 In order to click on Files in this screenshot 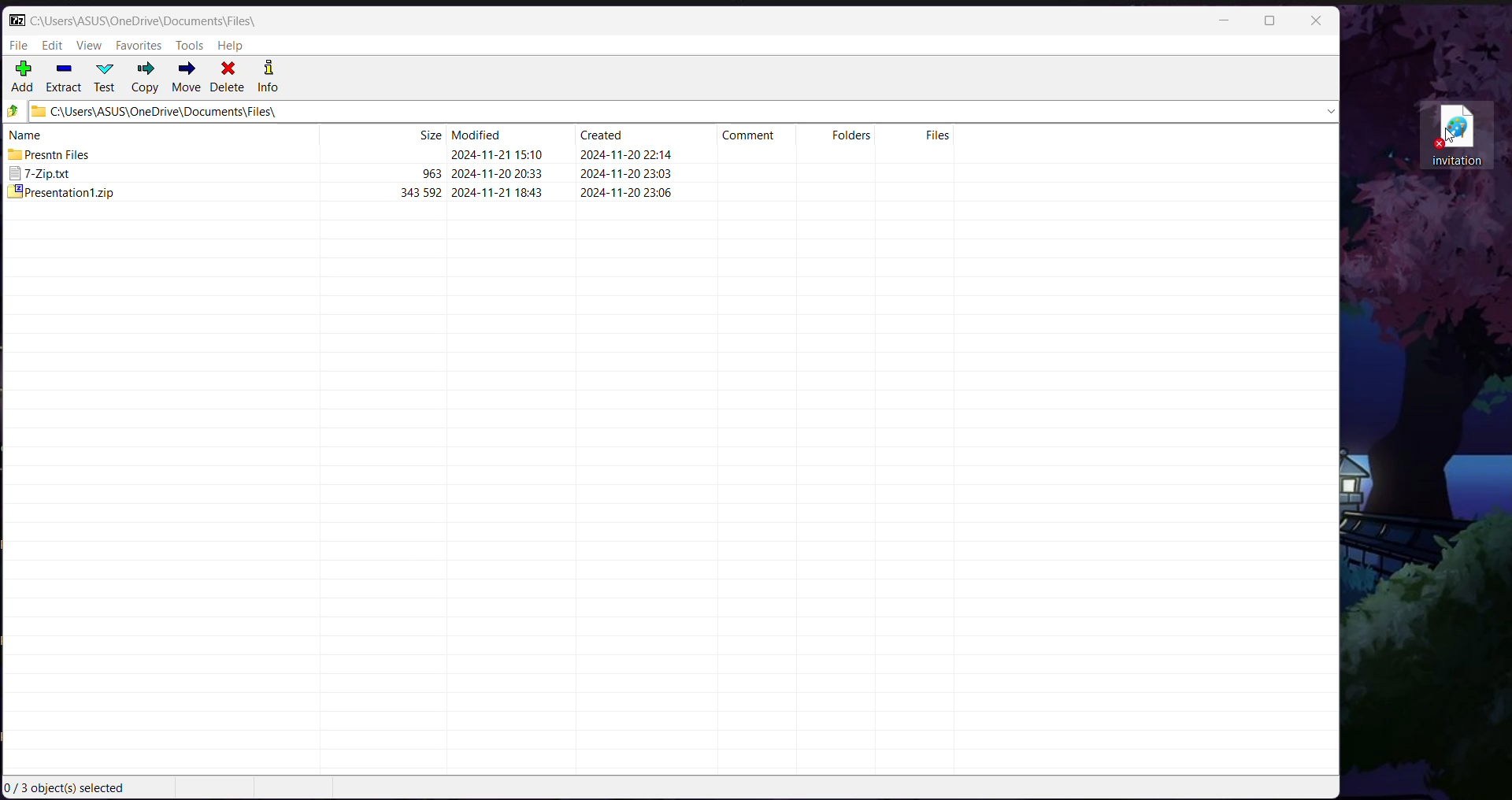, I will do `click(937, 135)`.